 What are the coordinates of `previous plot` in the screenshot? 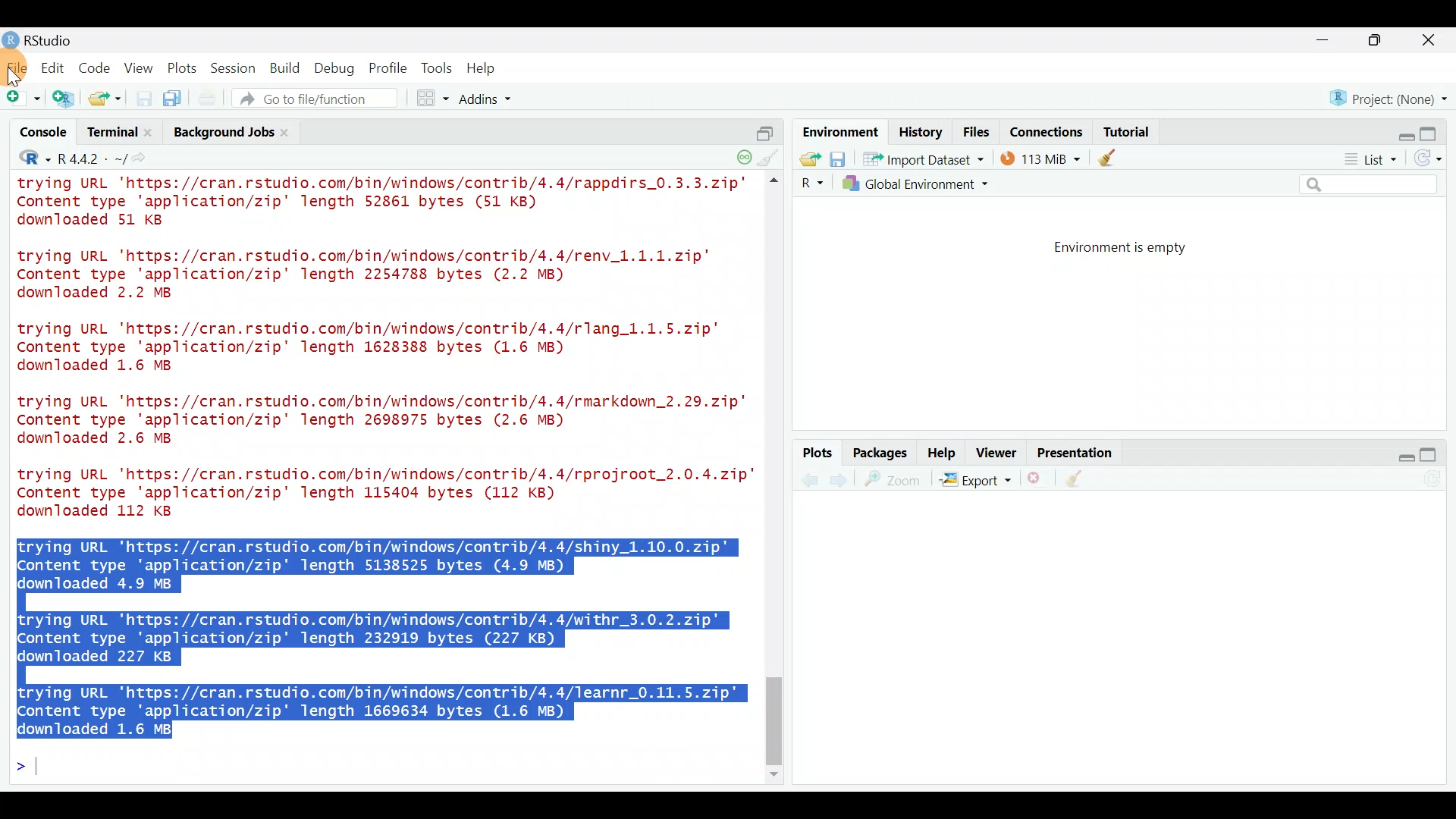 It's located at (843, 479).